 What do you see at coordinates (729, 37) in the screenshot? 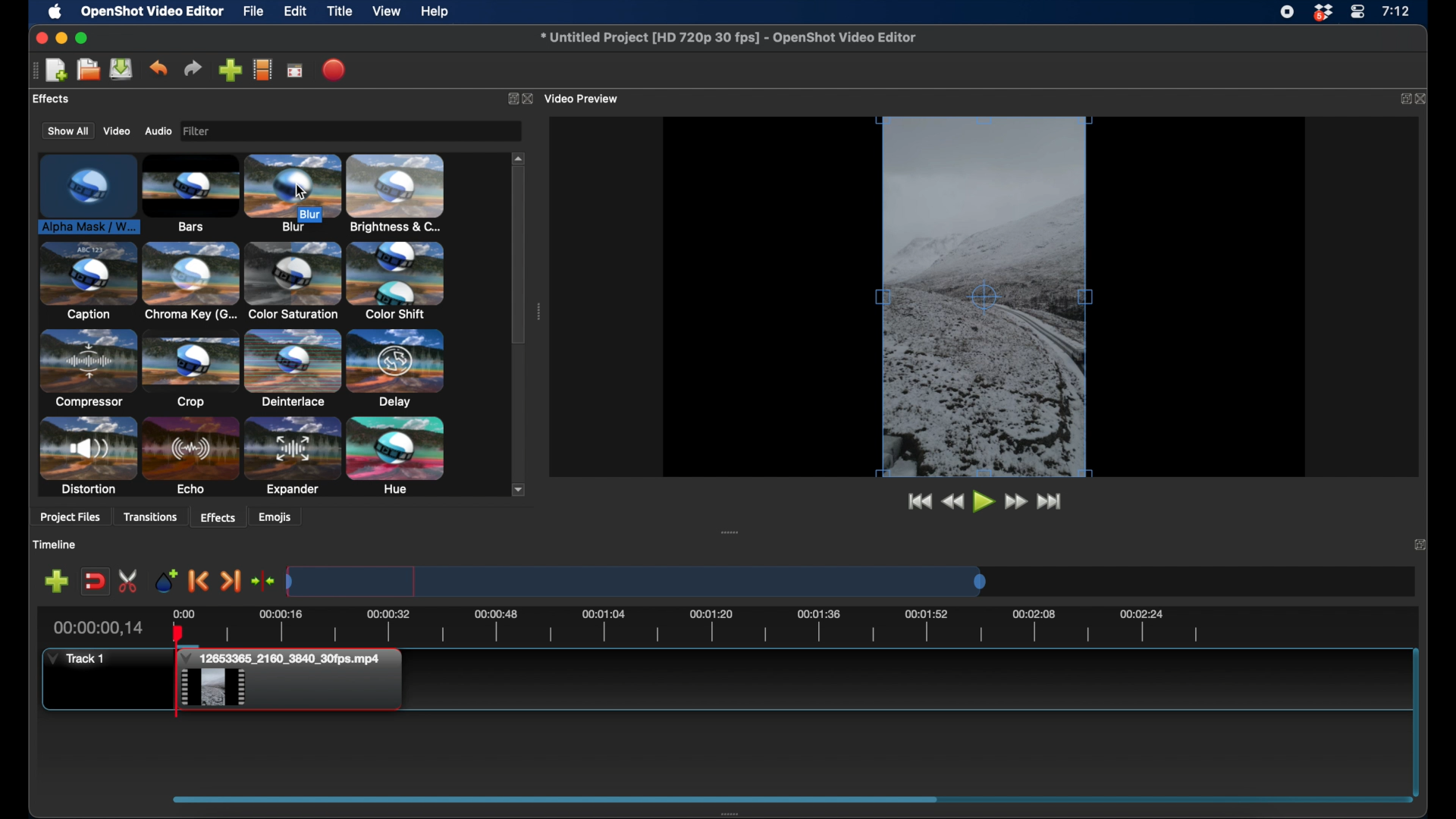
I see `file name` at bounding box center [729, 37].